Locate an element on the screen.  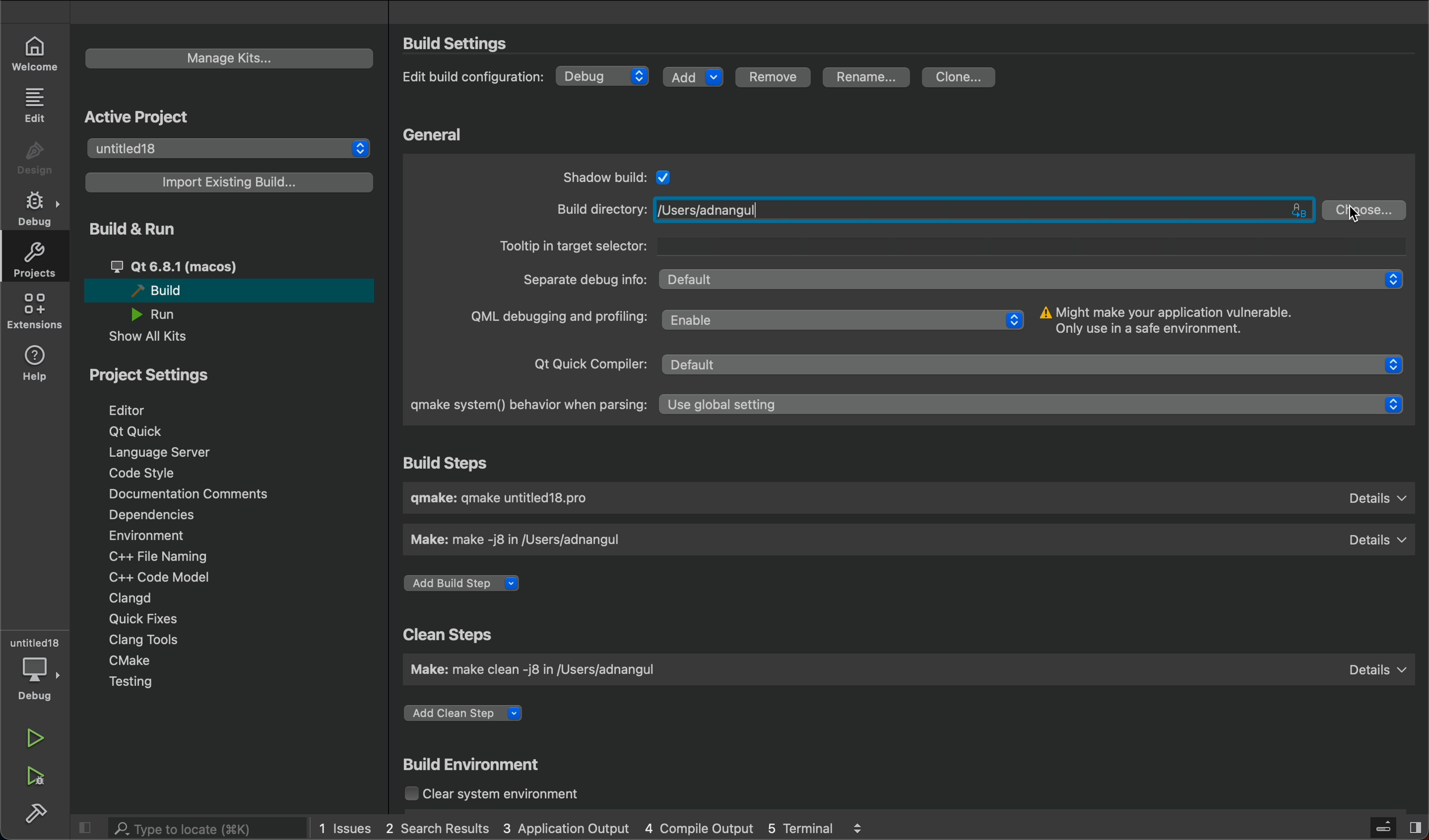
Details is located at coordinates (1375, 665).